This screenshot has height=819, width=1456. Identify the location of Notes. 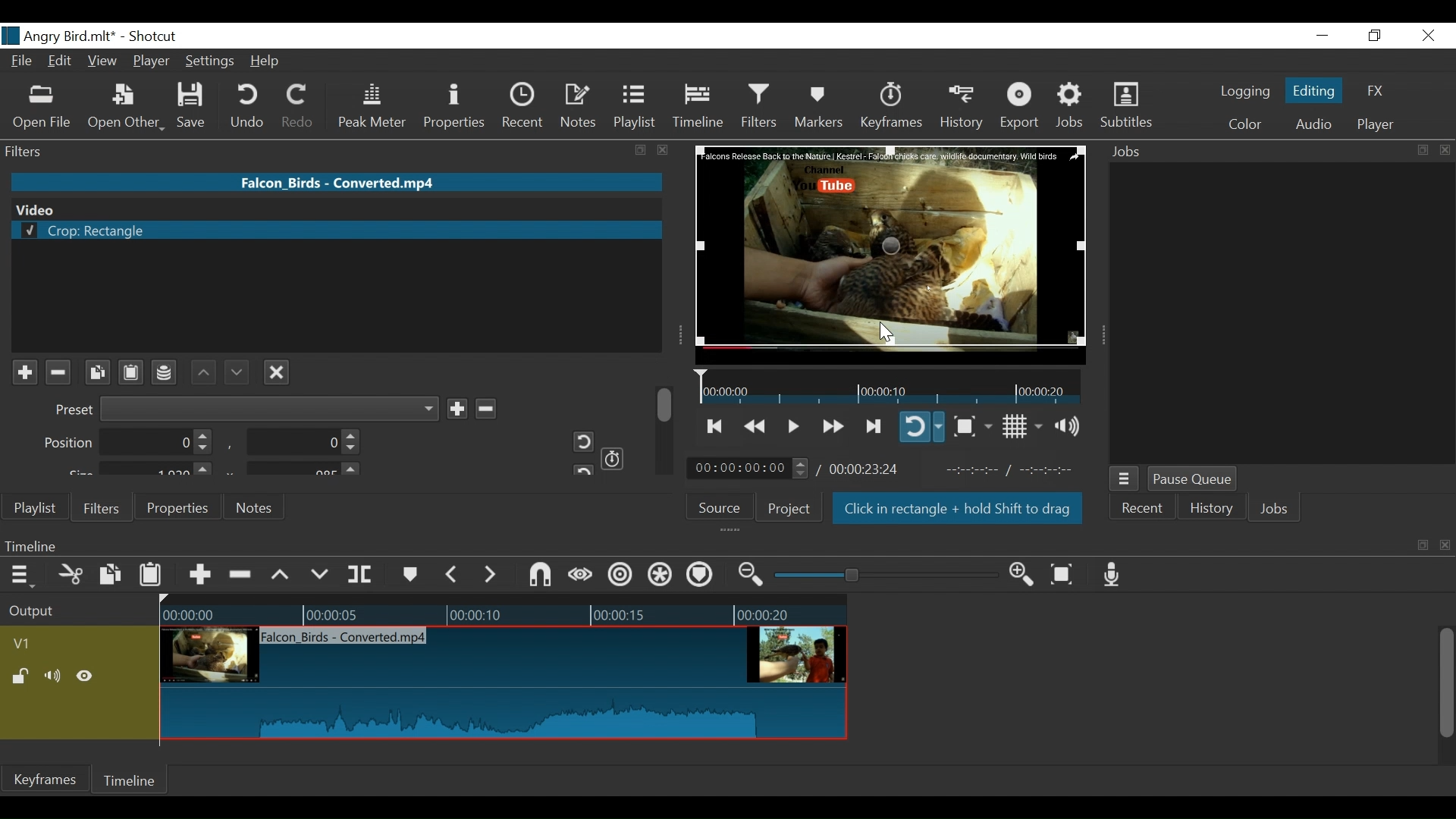
(256, 507).